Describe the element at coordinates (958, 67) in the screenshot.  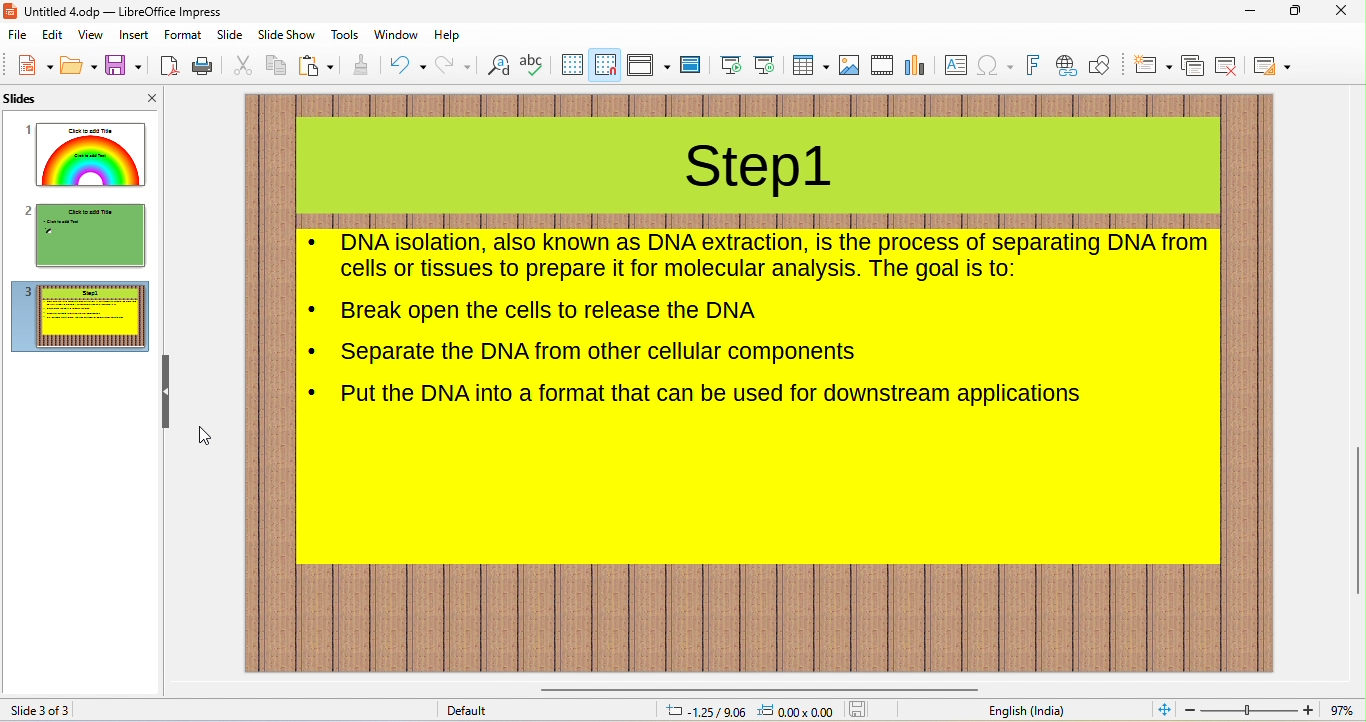
I see `textbox` at that location.